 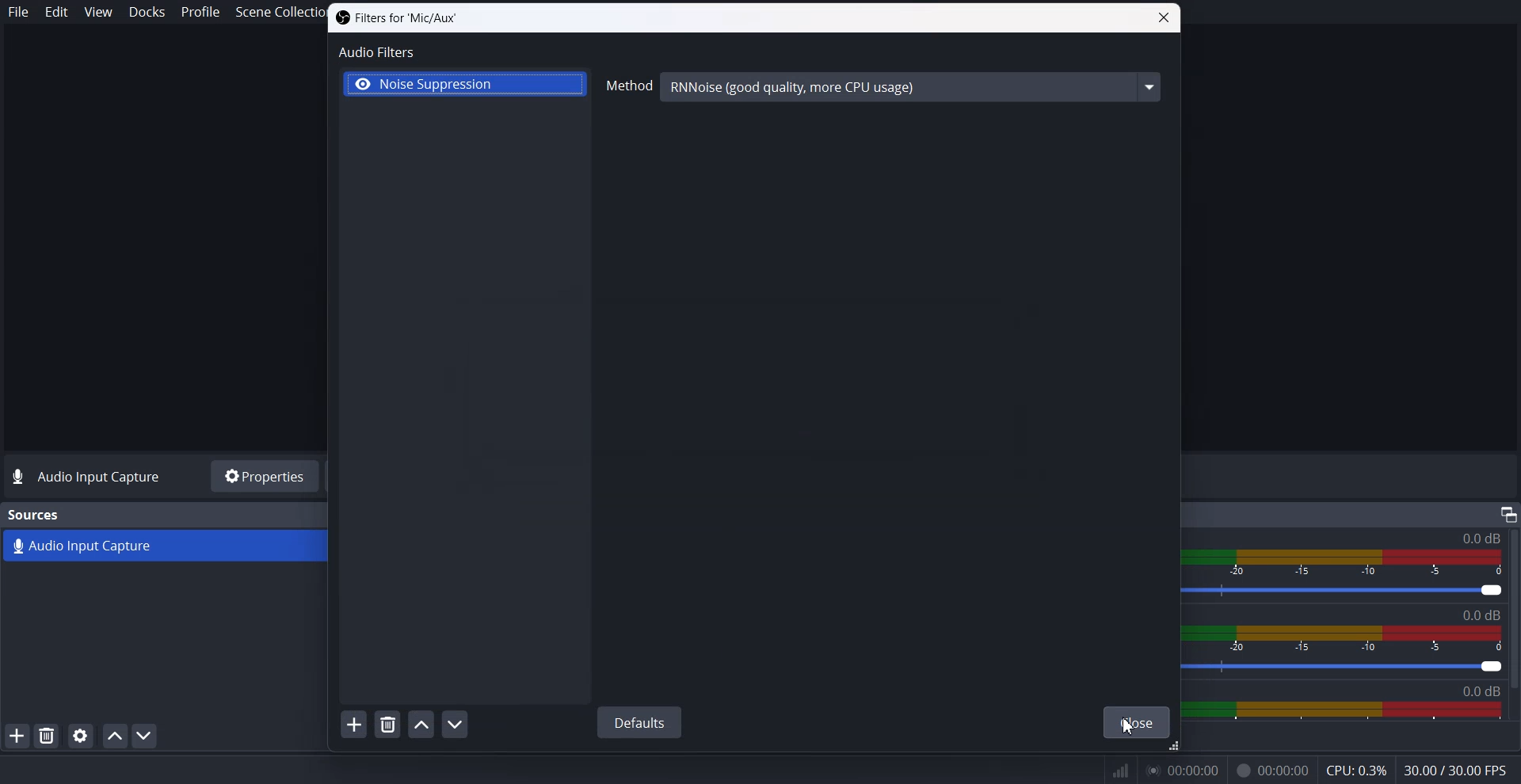 What do you see at coordinates (89, 478) in the screenshot?
I see `Text ` at bounding box center [89, 478].